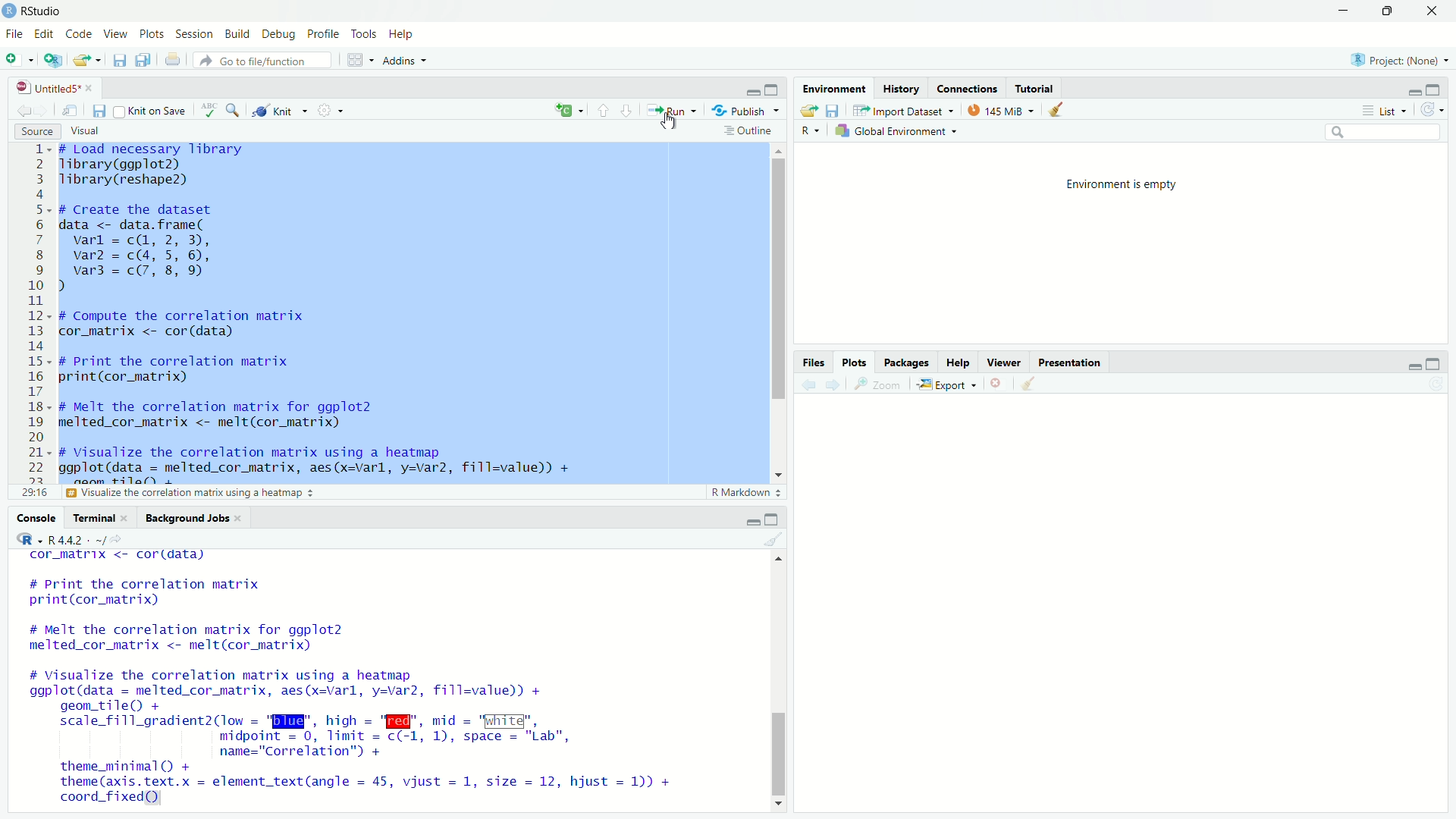  Describe the element at coordinates (86, 131) in the screenshot. I see `visual` at that location.